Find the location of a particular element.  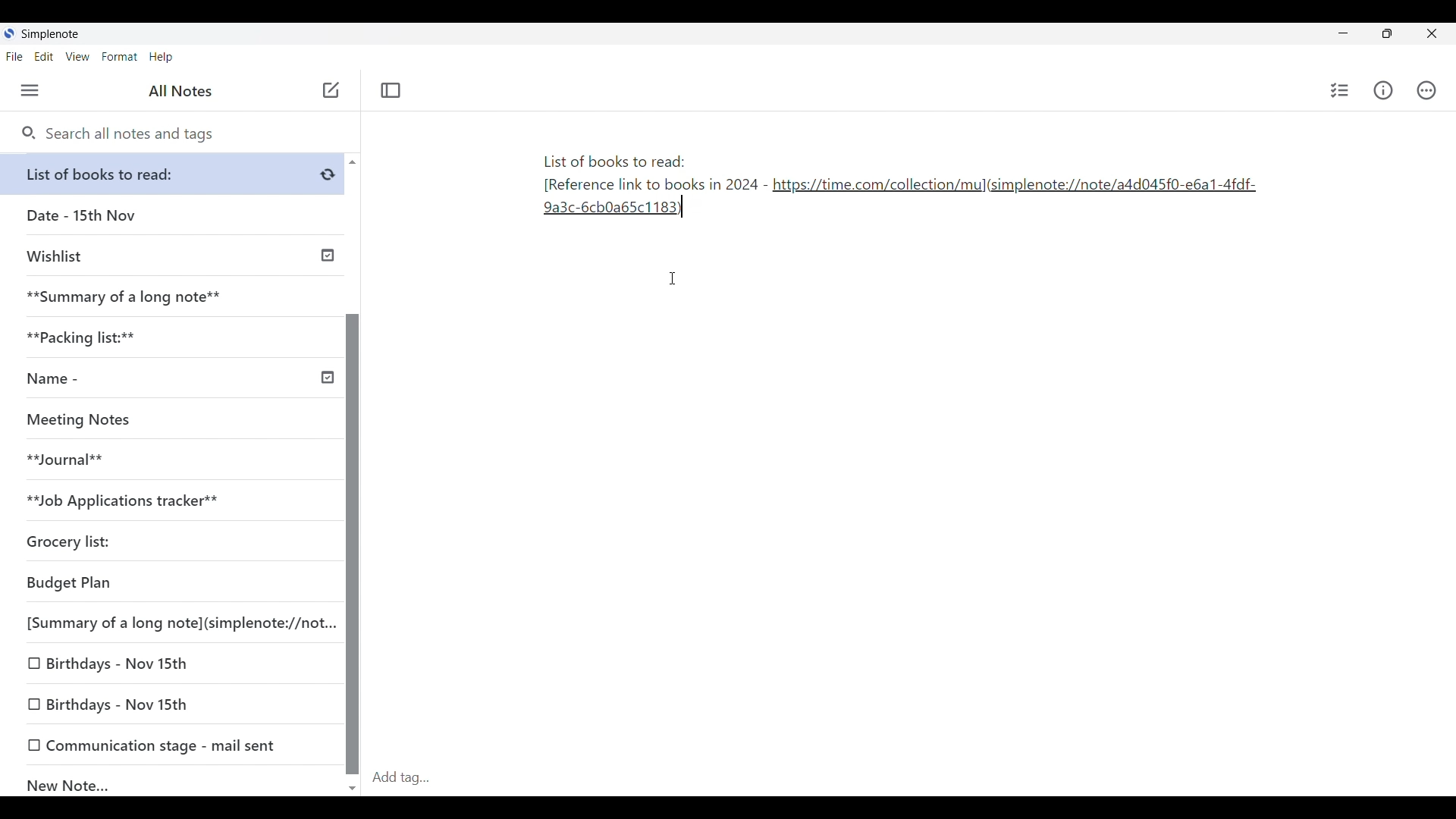

Resize is located at coordinates (1382, 35).